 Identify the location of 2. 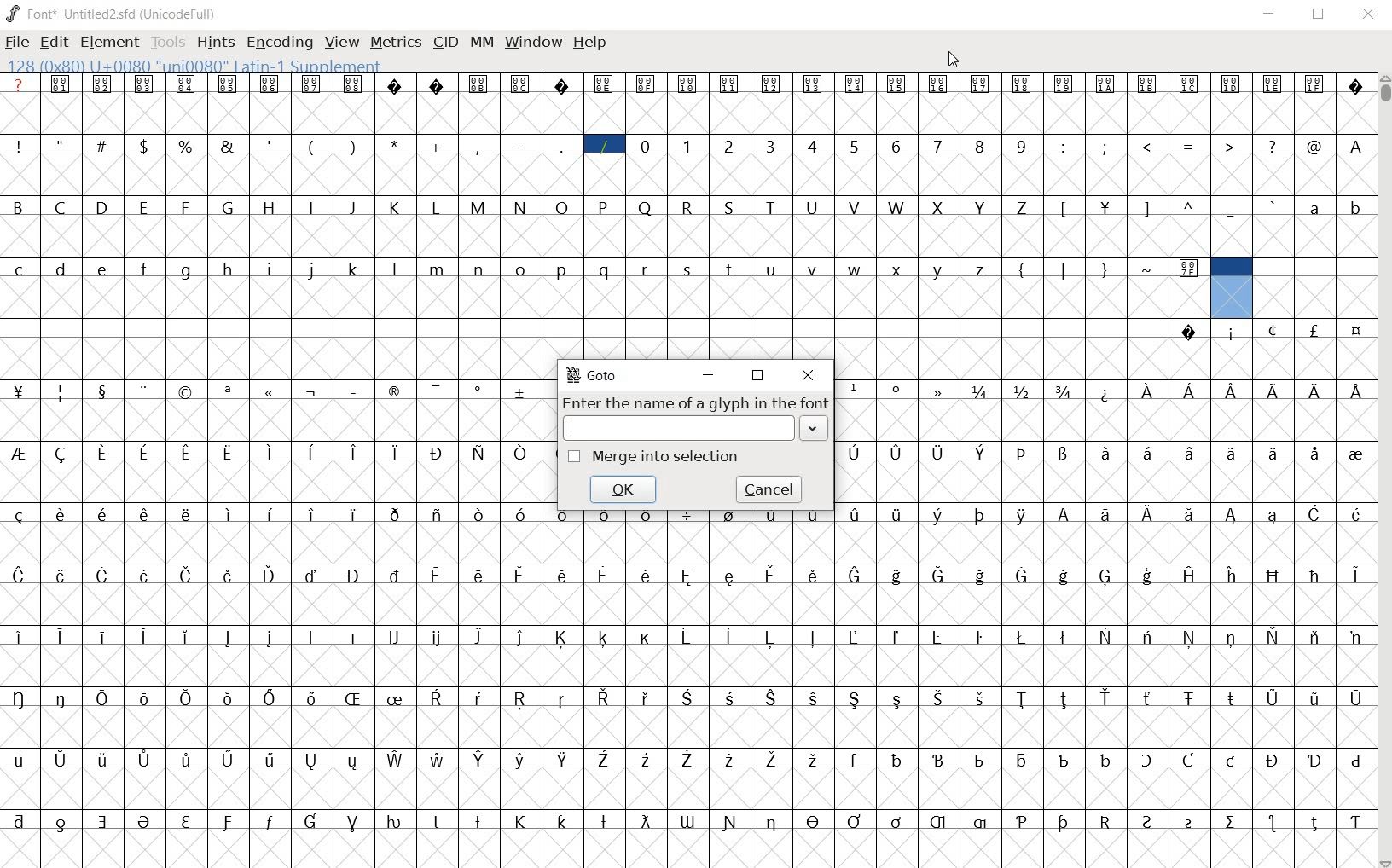
(731, 146).